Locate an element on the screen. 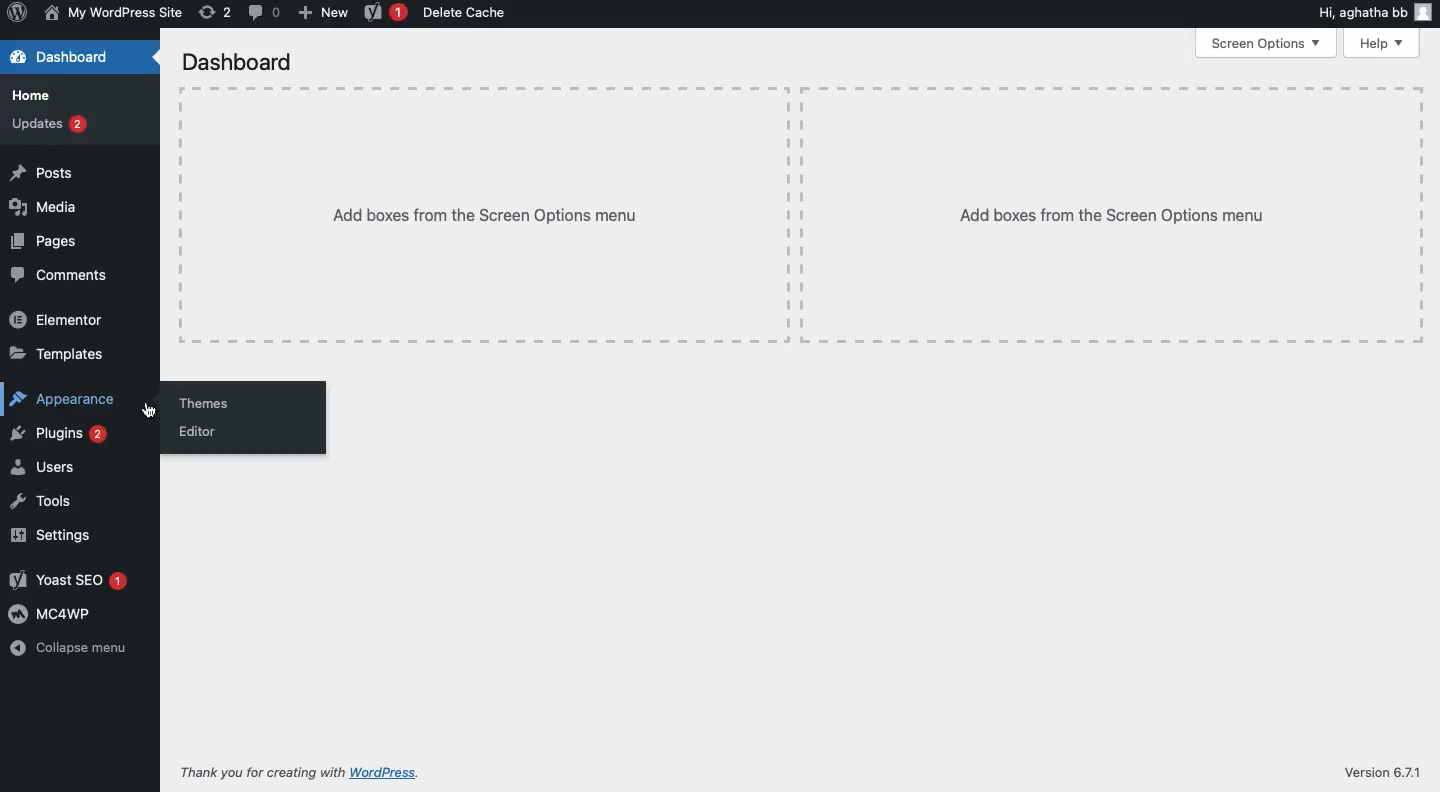 The image size is (1440, 792). WordPress is located at coordinates (413, 773).